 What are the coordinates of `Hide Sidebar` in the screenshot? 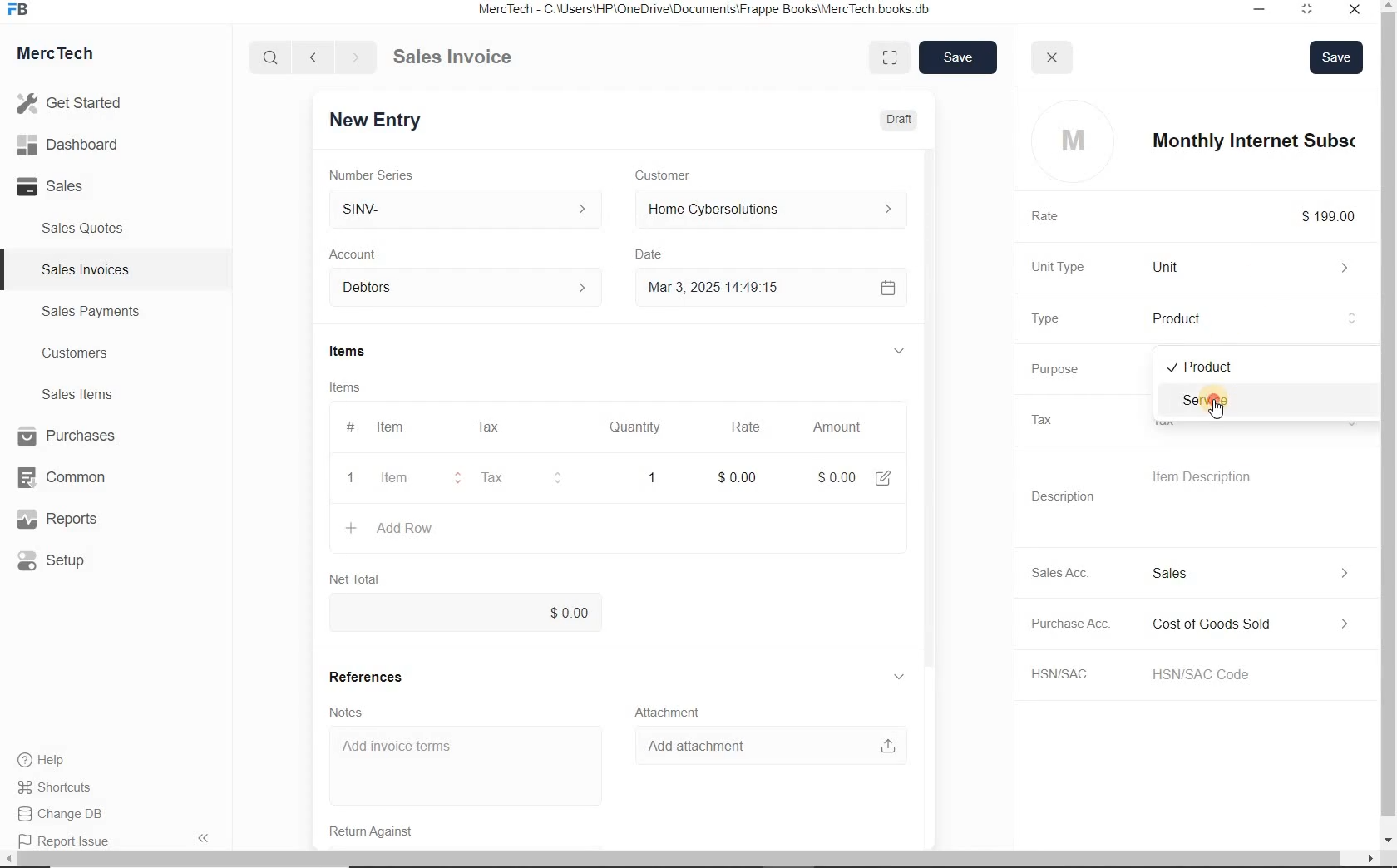 It's located at (202, 837).